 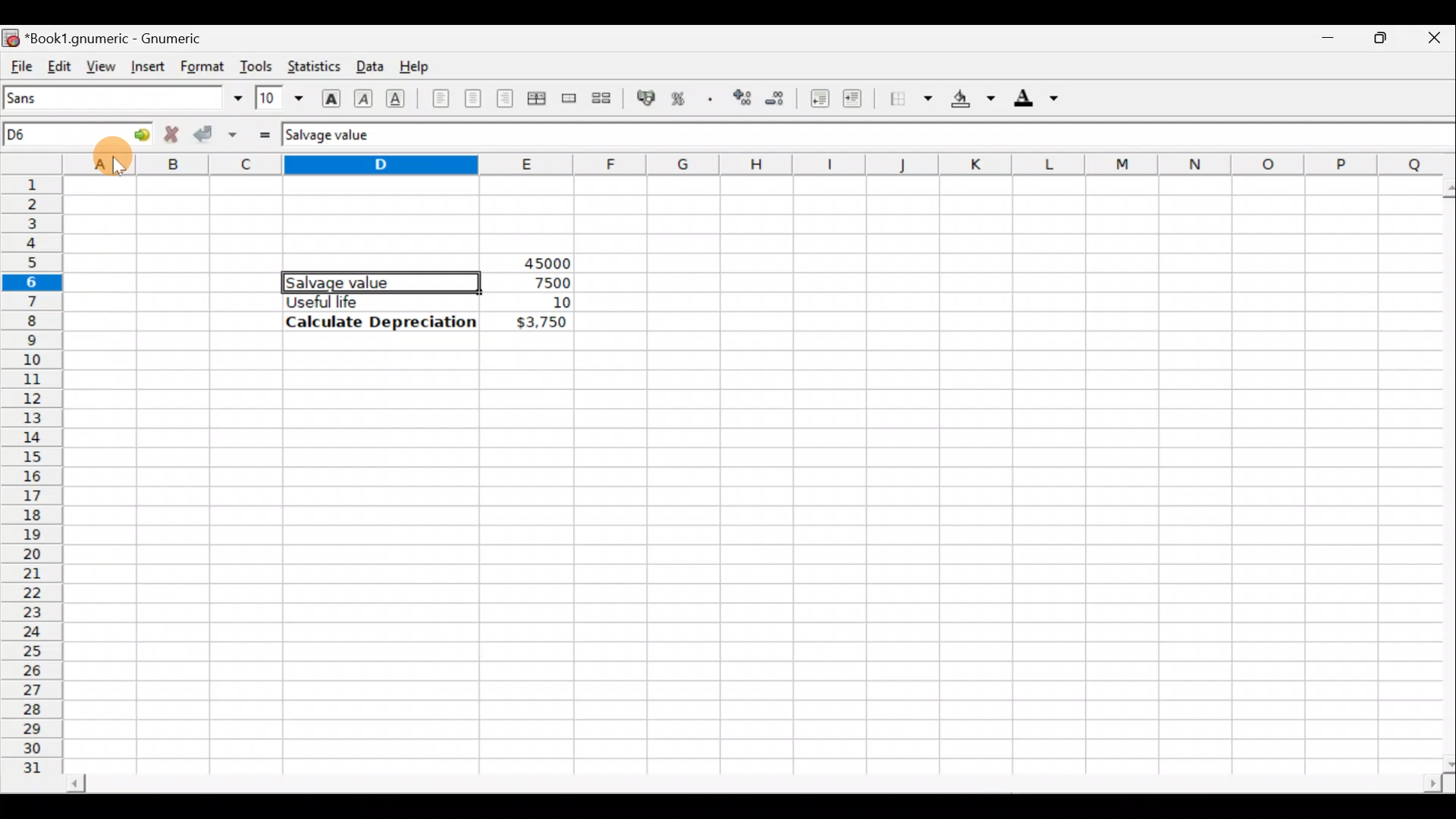 What do you see at coordinates (312, 67) in the screenshot?
I see `Statistics` at bounding box center [312, 67].